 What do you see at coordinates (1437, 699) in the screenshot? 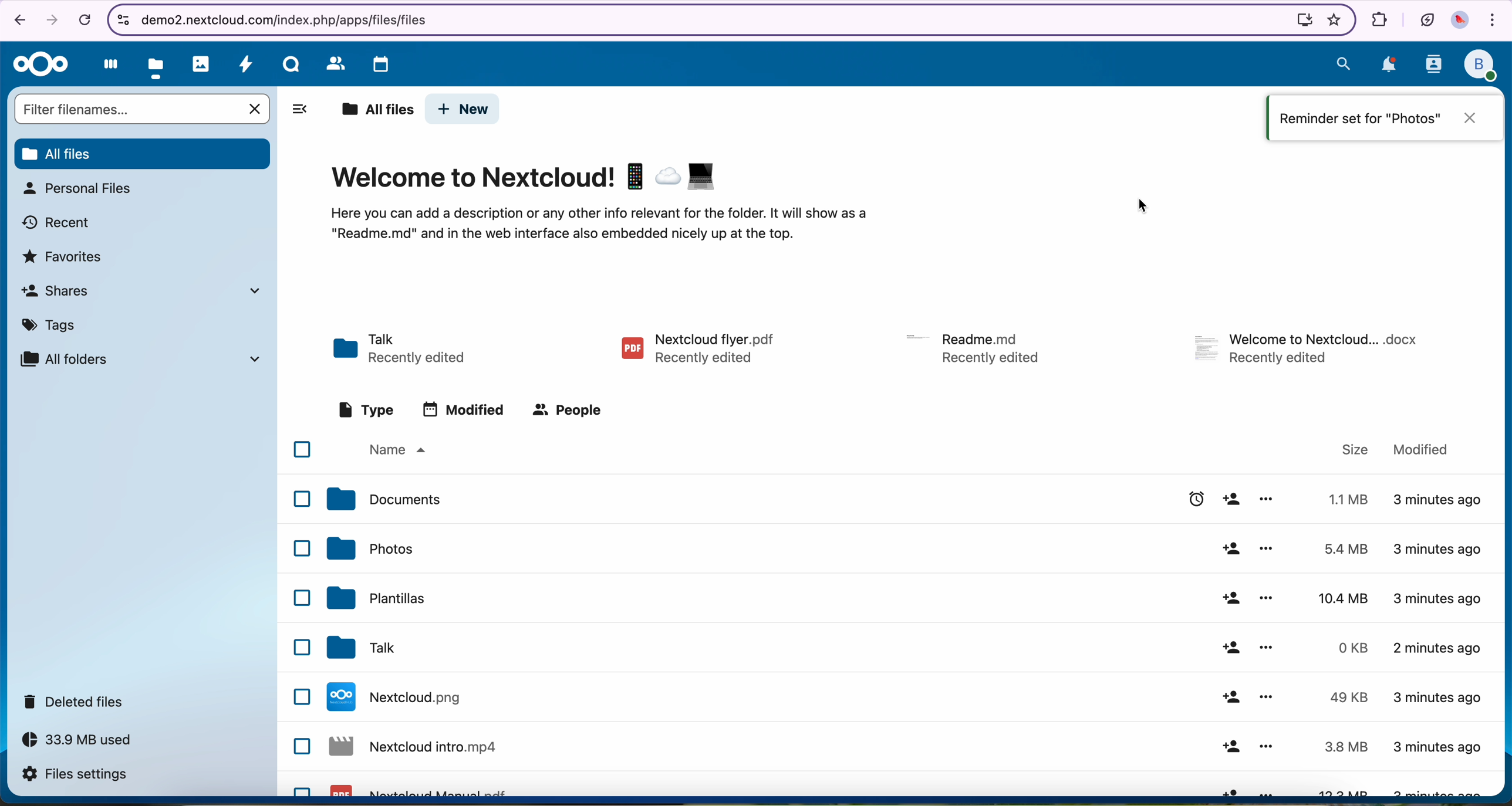
I see `3 minutes ago` at bounding box center [1437, 699].